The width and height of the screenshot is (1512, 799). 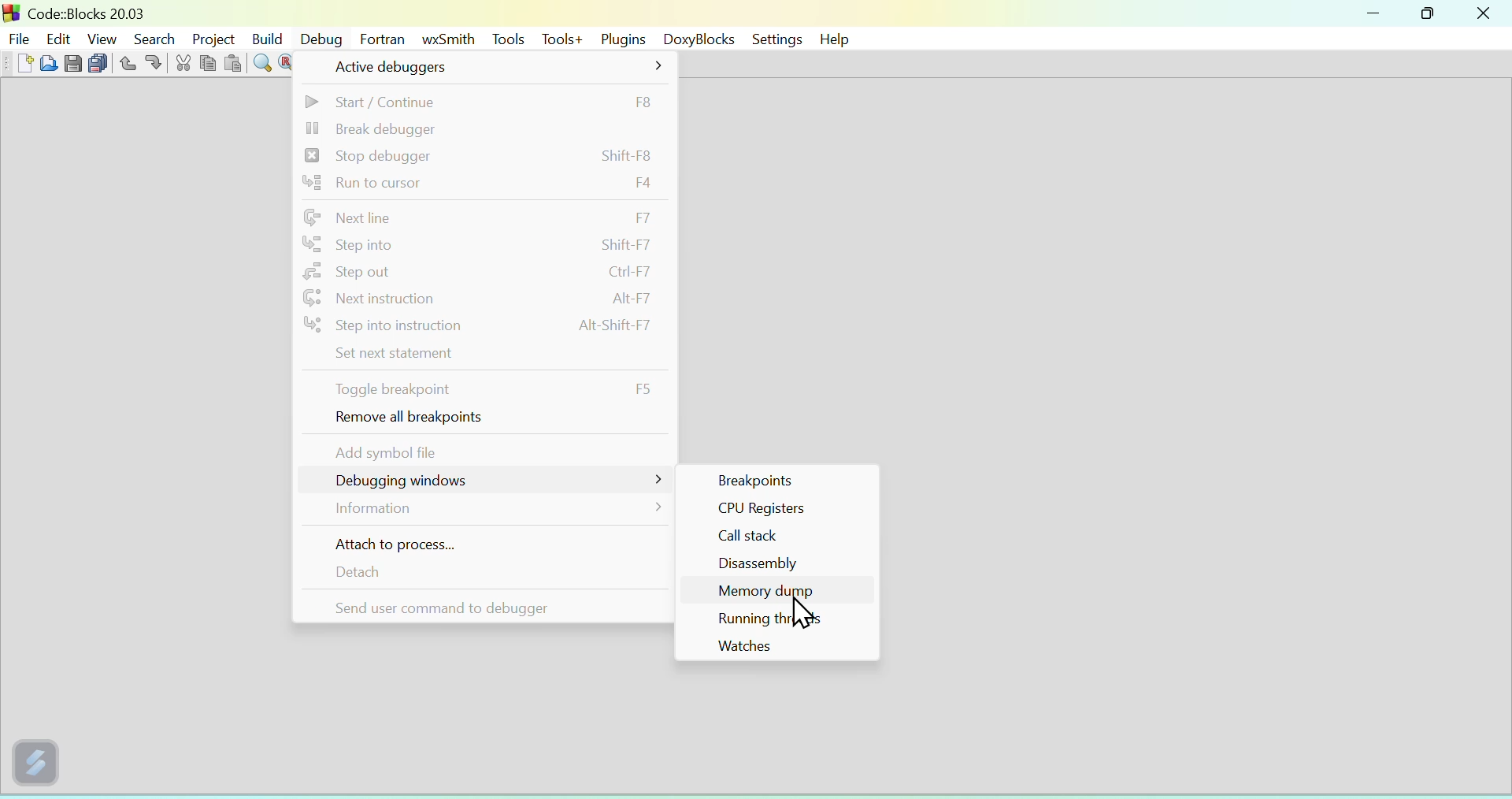 What do you see at coordinates (480, 572) in the screenshot?
I see `detach ` at bounding box center [480, 572].